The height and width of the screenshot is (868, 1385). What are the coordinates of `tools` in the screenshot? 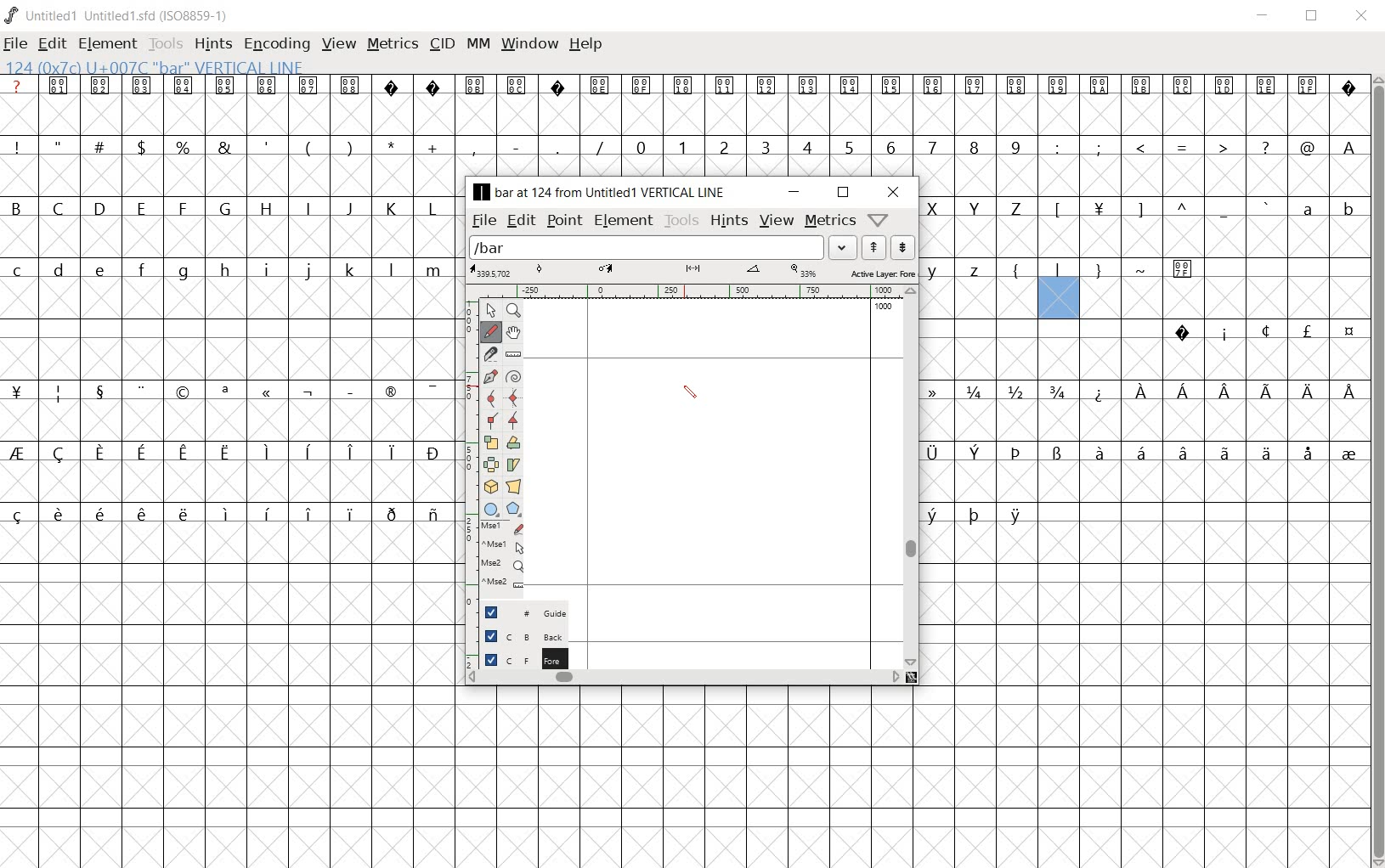 It's located at (166, 42).